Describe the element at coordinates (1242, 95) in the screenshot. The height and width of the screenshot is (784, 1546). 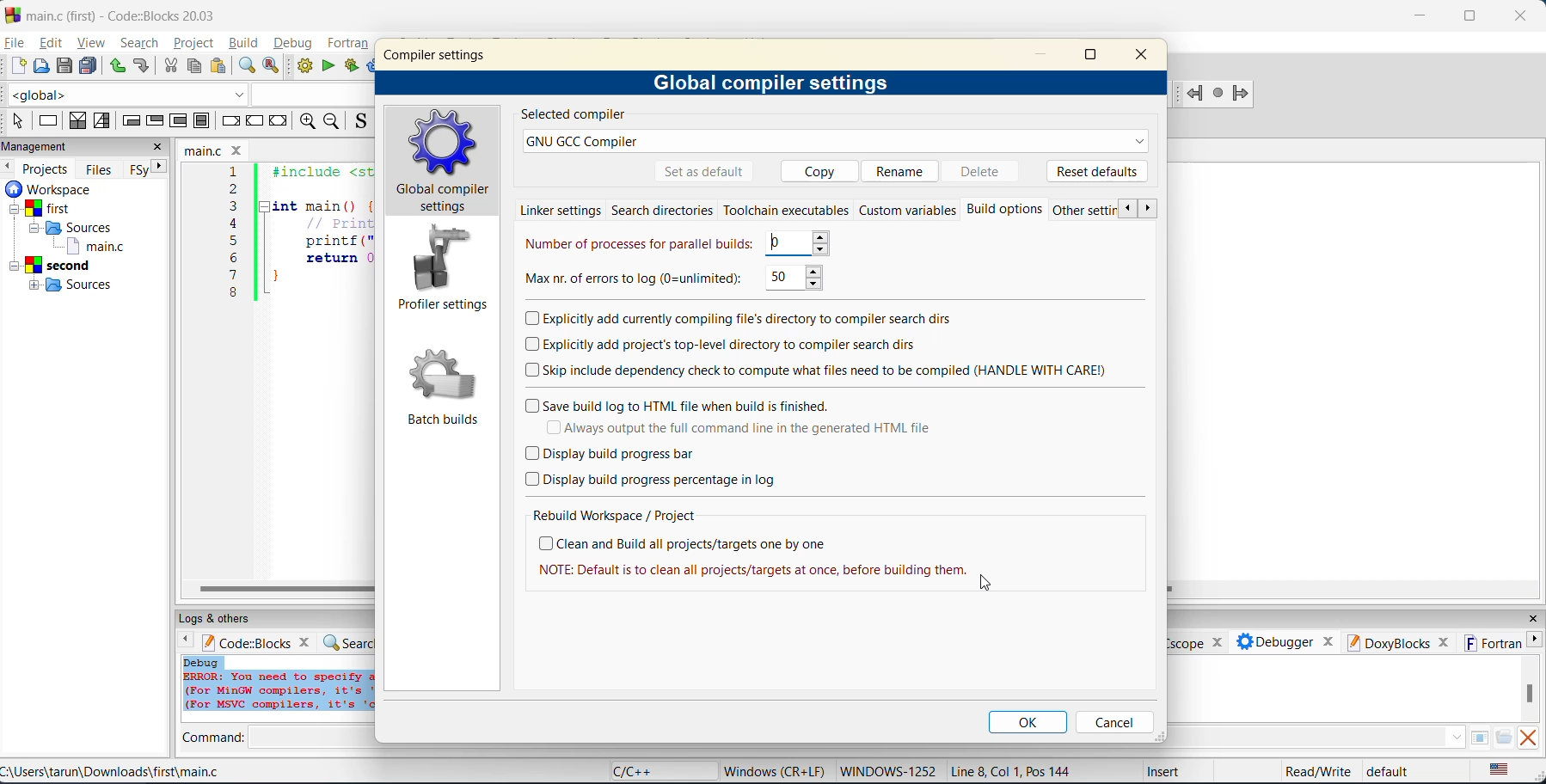
I see `jump forward` at that location.